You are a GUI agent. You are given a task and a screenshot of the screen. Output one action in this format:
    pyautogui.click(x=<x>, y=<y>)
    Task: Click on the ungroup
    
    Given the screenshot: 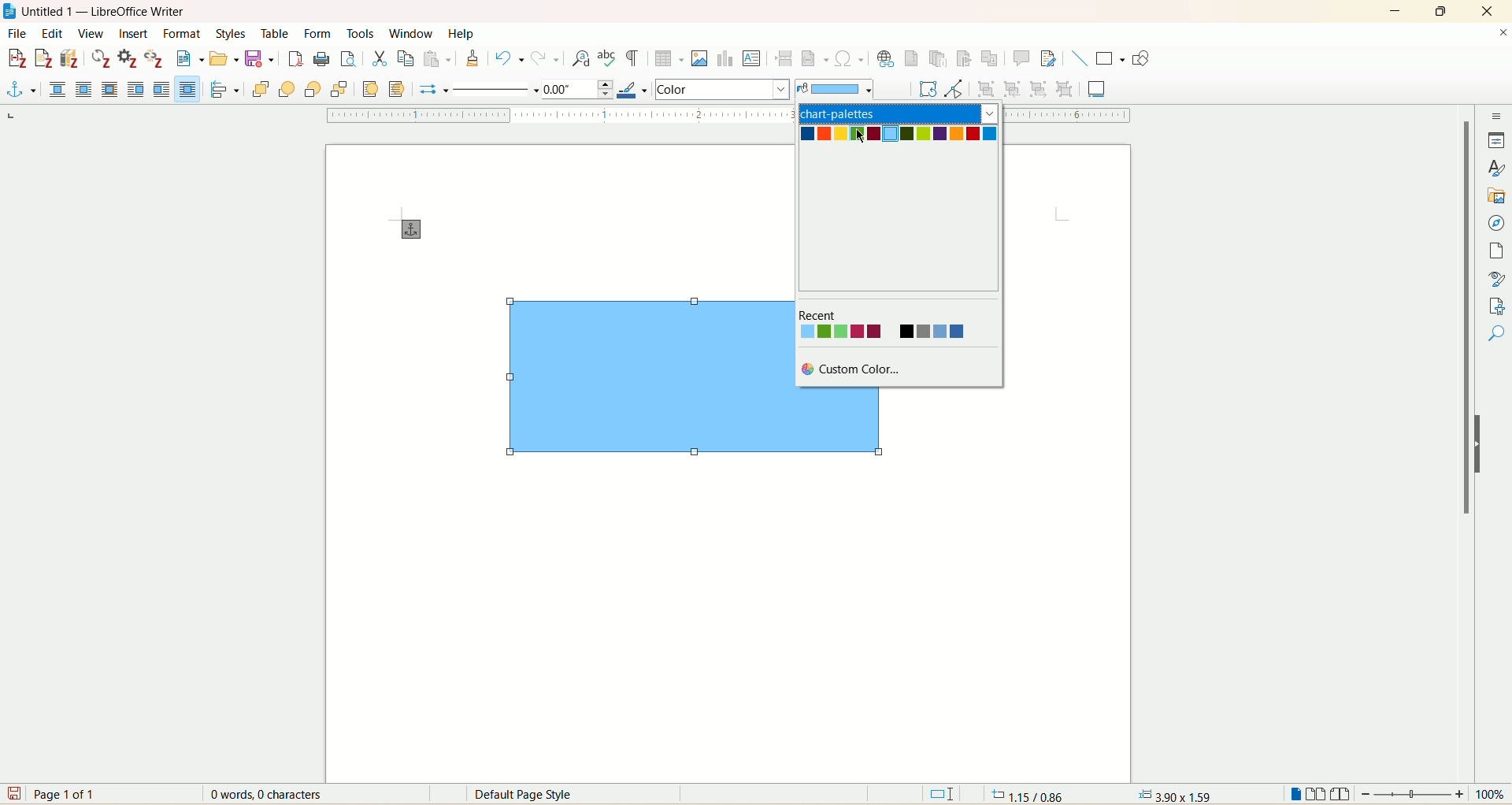 What is the action you would take?
    pyautogui.click(x=1065, y=88)
    